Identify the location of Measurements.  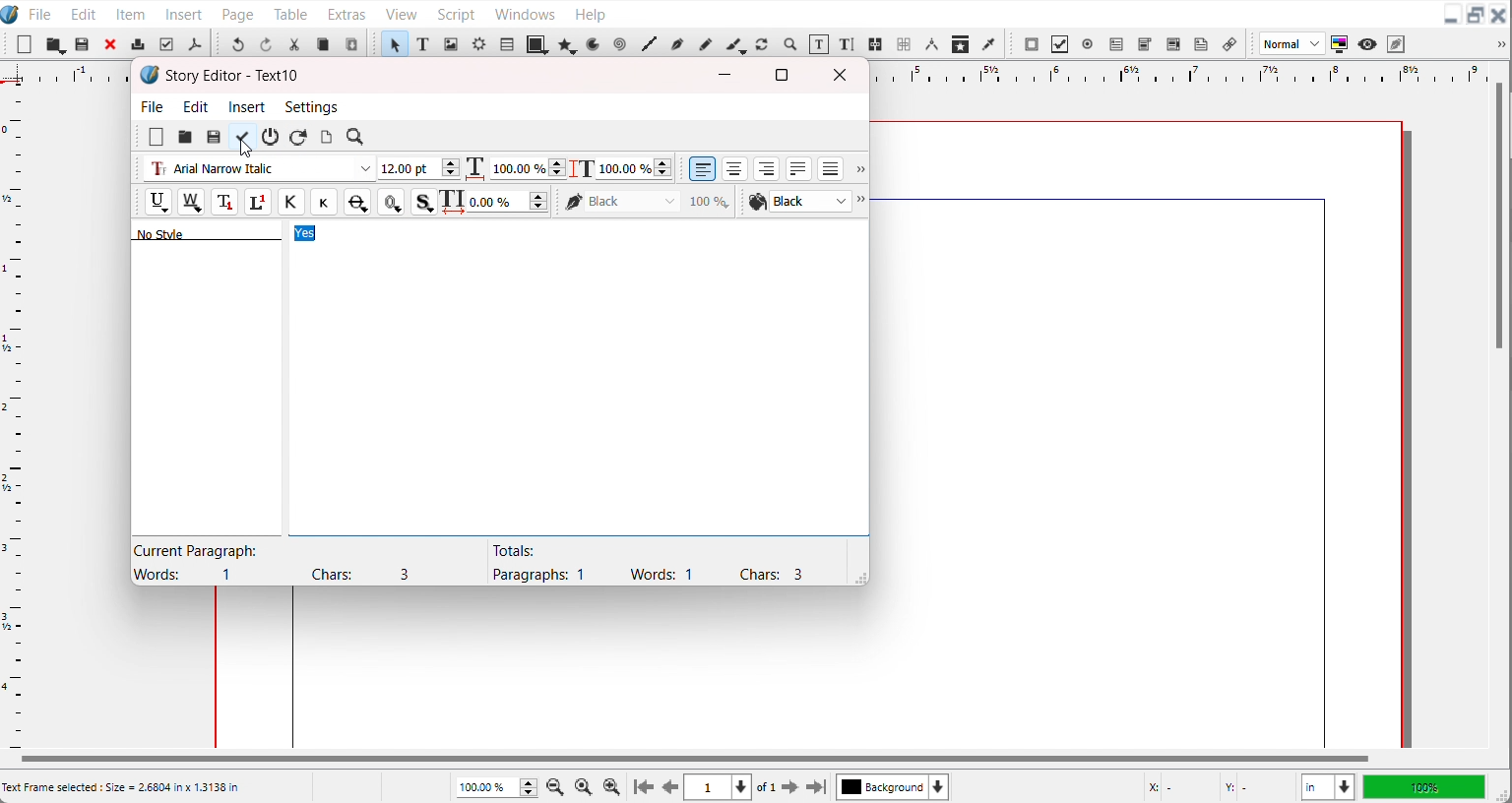
(931, 44).